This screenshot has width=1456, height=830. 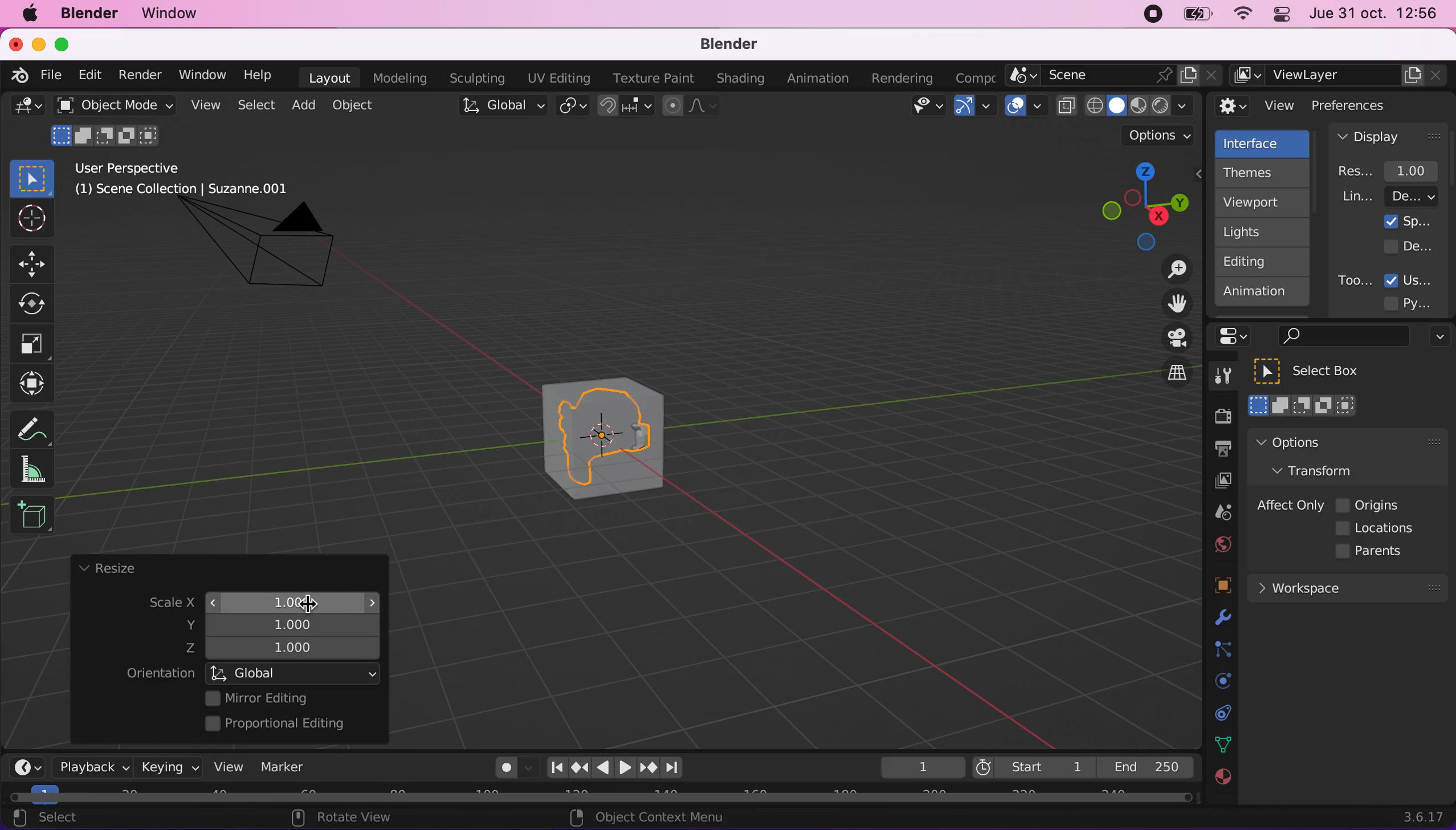 I want to click on data, so click(x=1220, y=743).